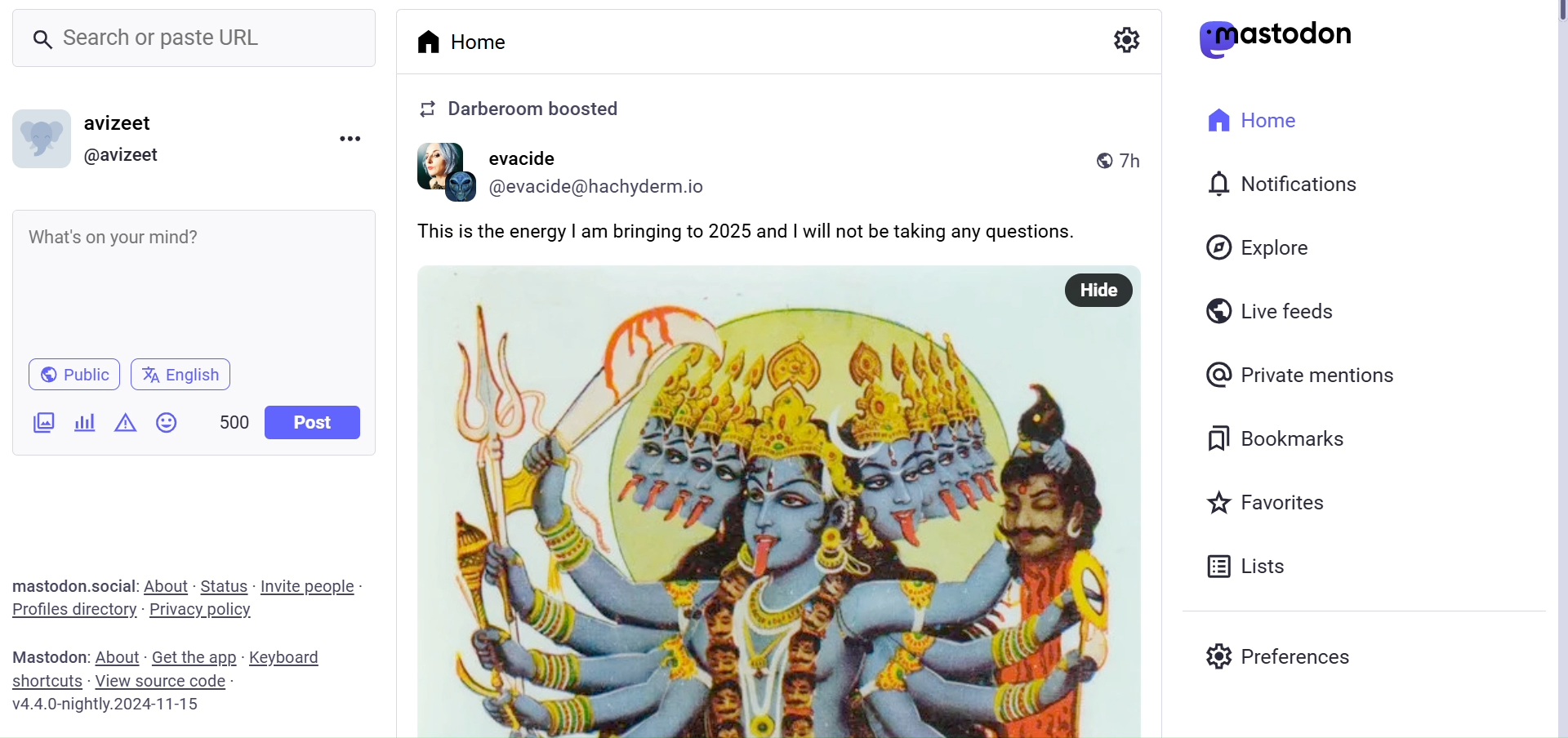 The image size is (1568, 738). Describe the element at coordinates (118, 657) in the screenshot. I see `About` at that location.